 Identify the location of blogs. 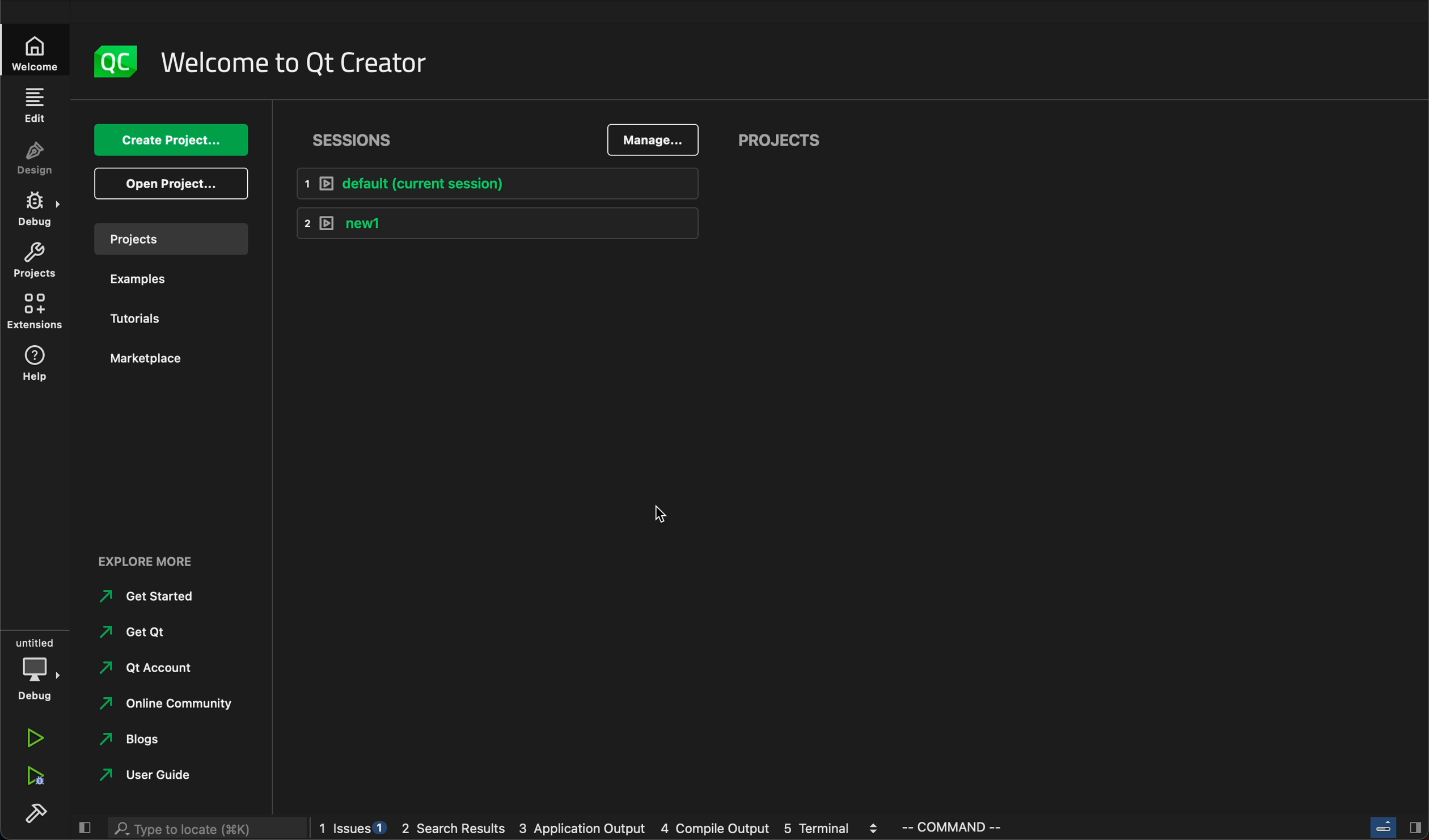
(164, 740).